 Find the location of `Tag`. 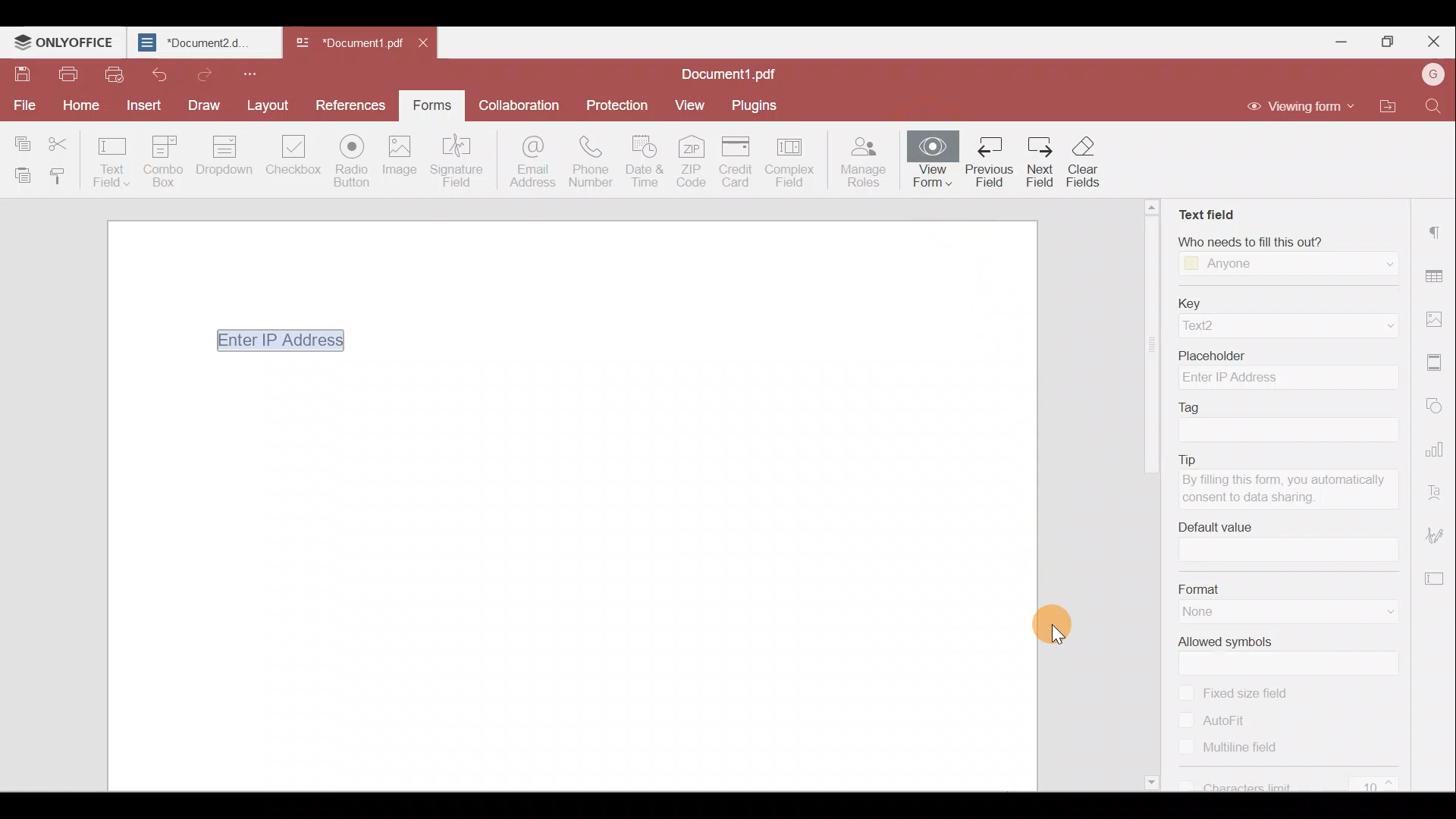

Tag is located at coordinates (1197, 406).